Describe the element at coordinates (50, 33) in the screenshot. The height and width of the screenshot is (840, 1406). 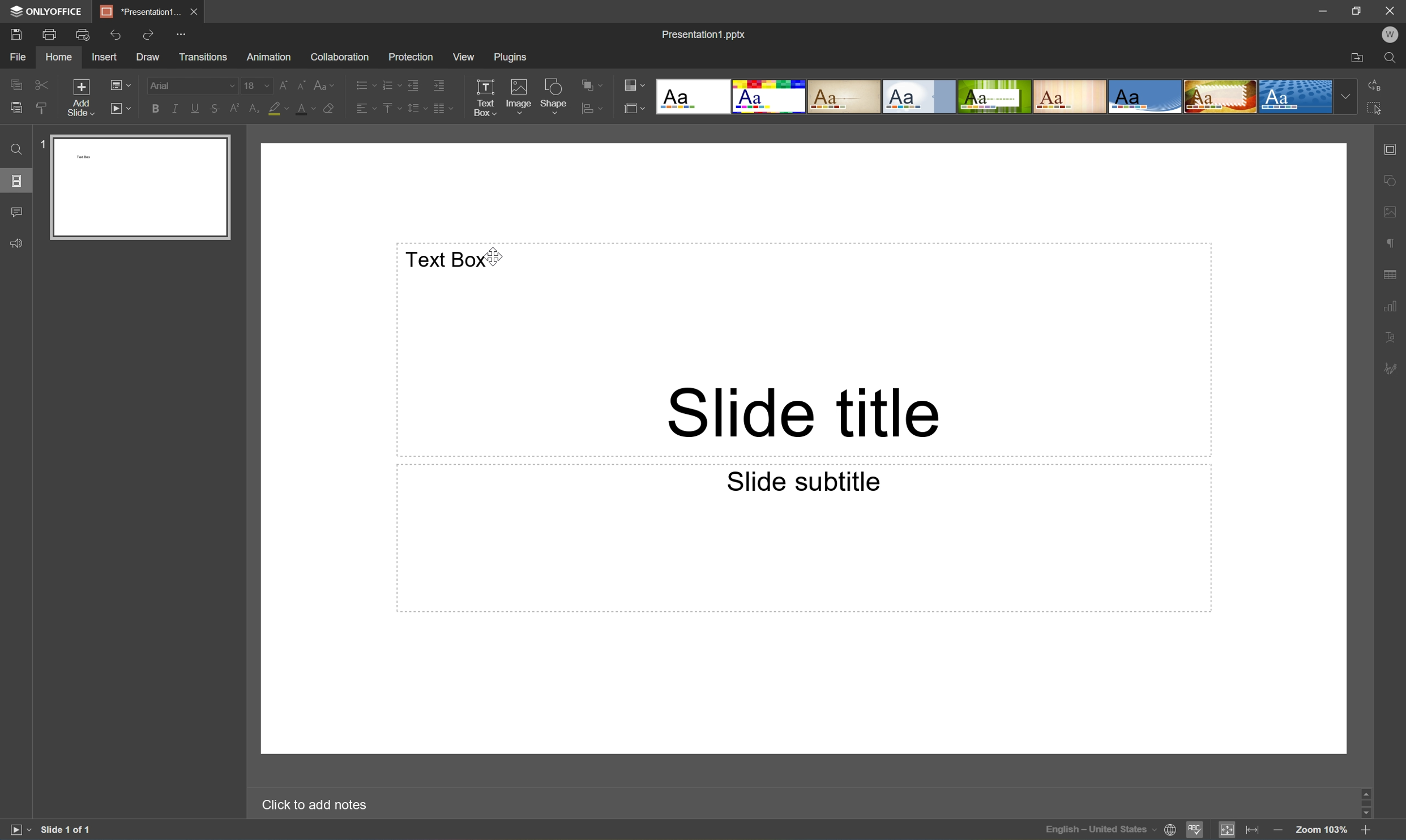
I see `Print file` at that location.